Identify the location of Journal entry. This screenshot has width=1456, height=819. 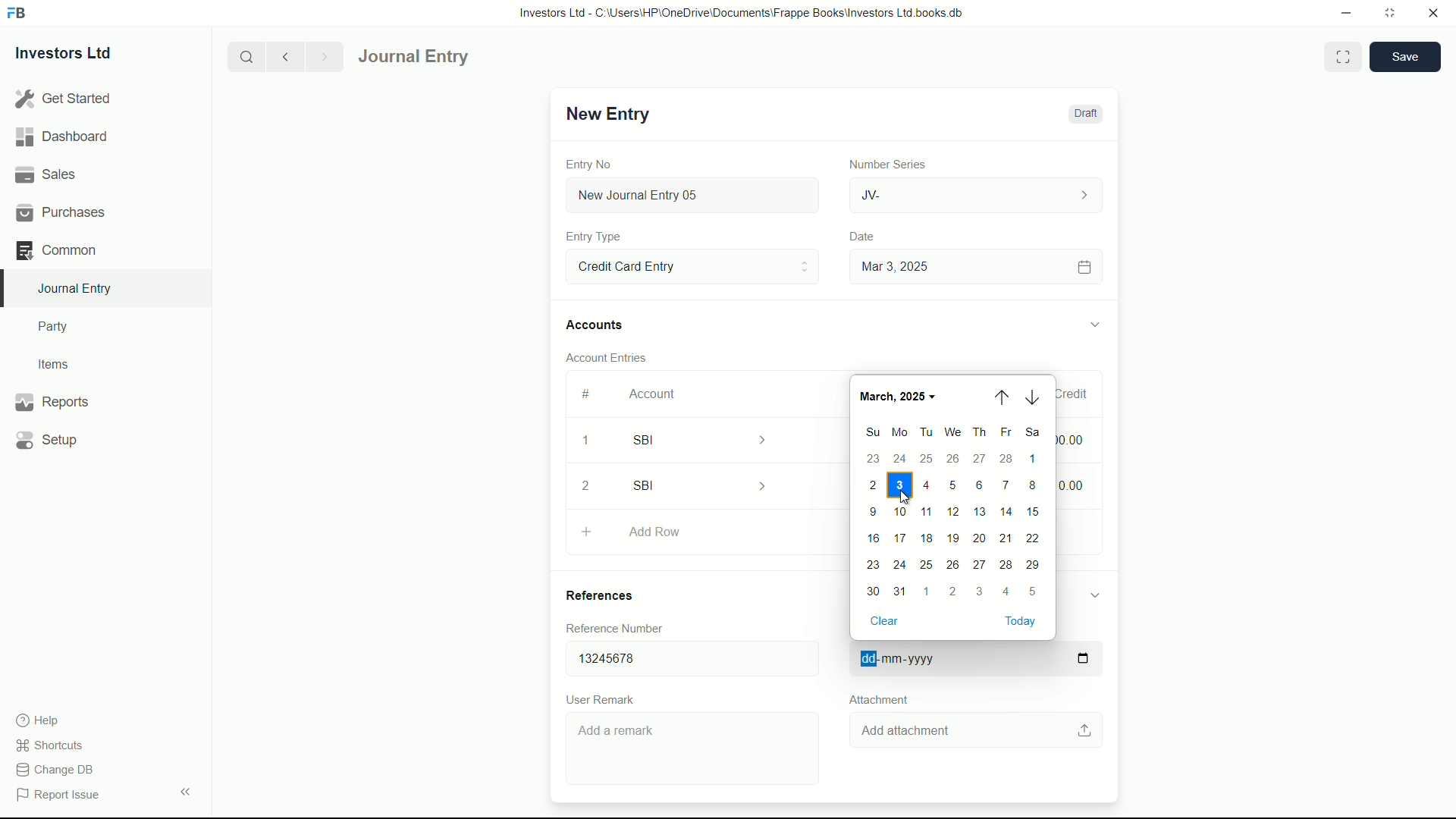
(457, 57).